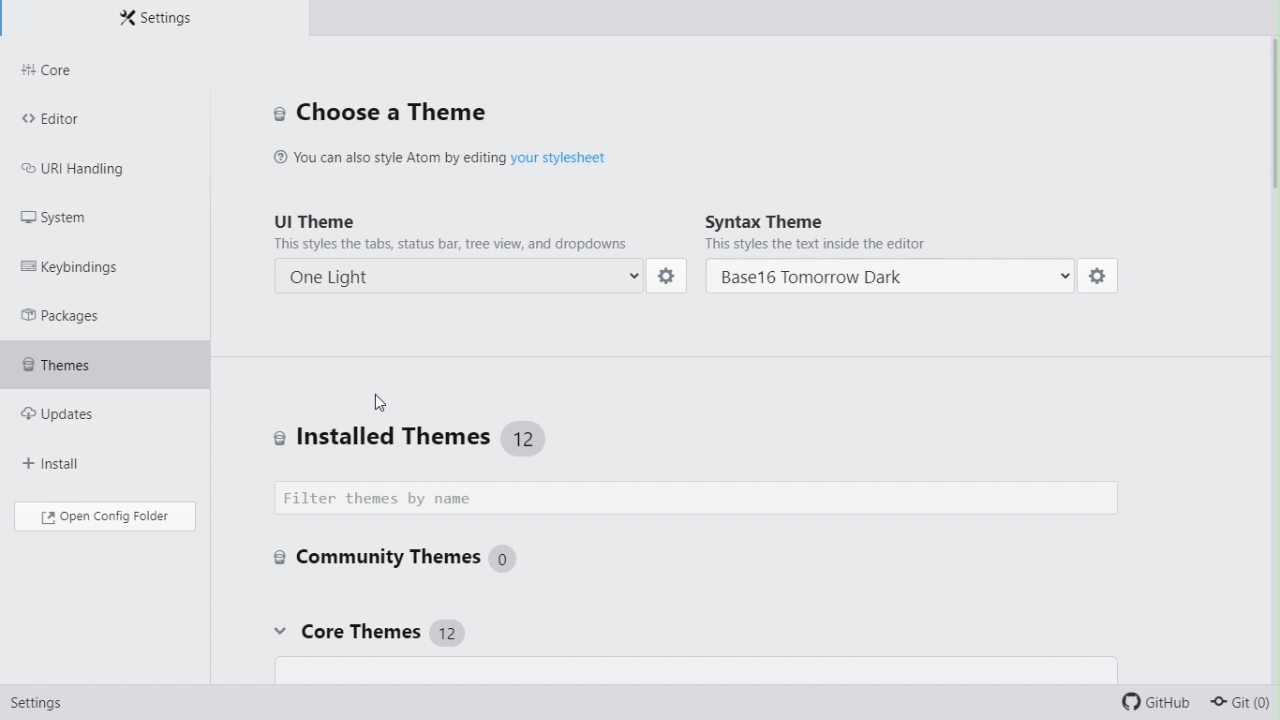 The image size is (1280, 720). Describe the element at coordinates (111, 70) in the screenshot. I see `core ` at that location.